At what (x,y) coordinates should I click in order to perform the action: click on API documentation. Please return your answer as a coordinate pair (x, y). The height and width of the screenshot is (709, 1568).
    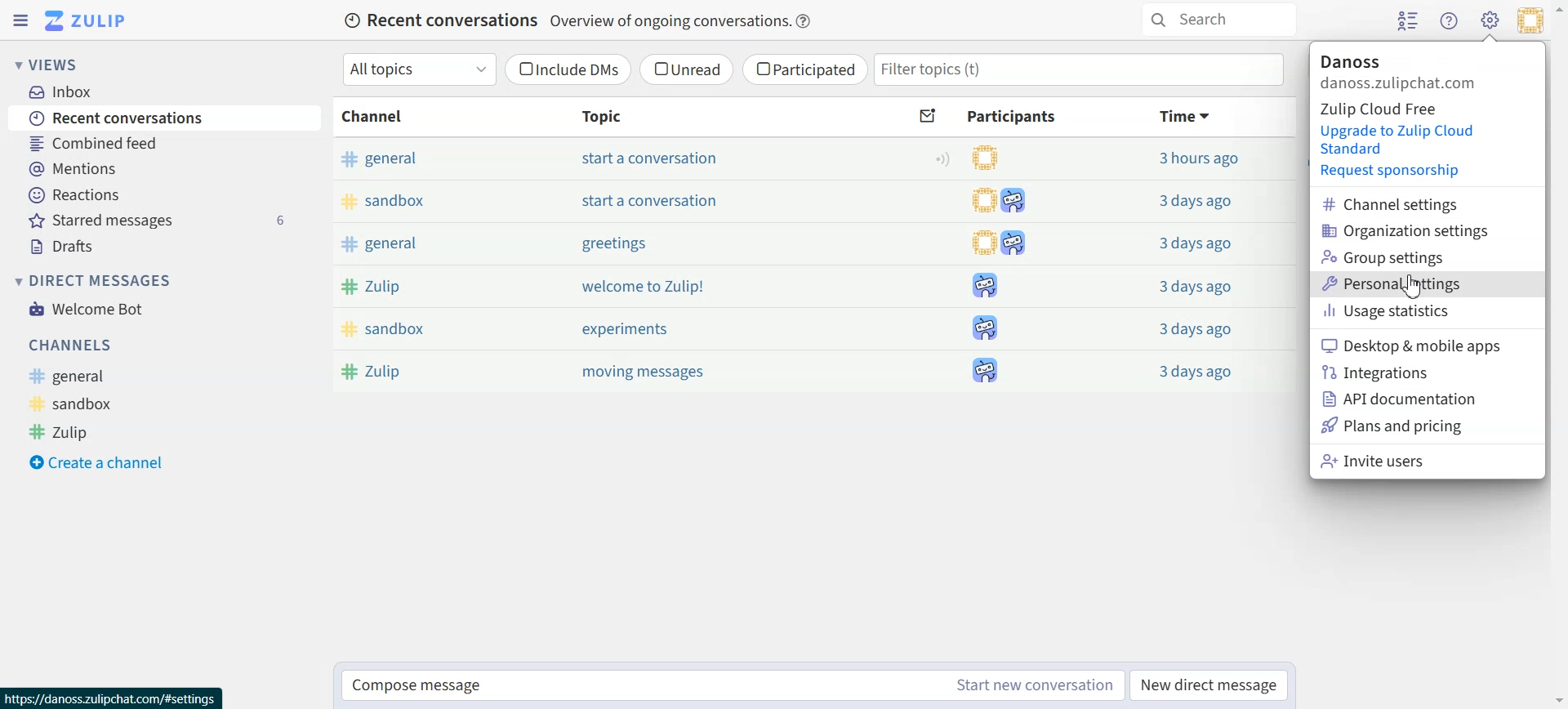
    Looking at the image, I should click on (1427, 399).